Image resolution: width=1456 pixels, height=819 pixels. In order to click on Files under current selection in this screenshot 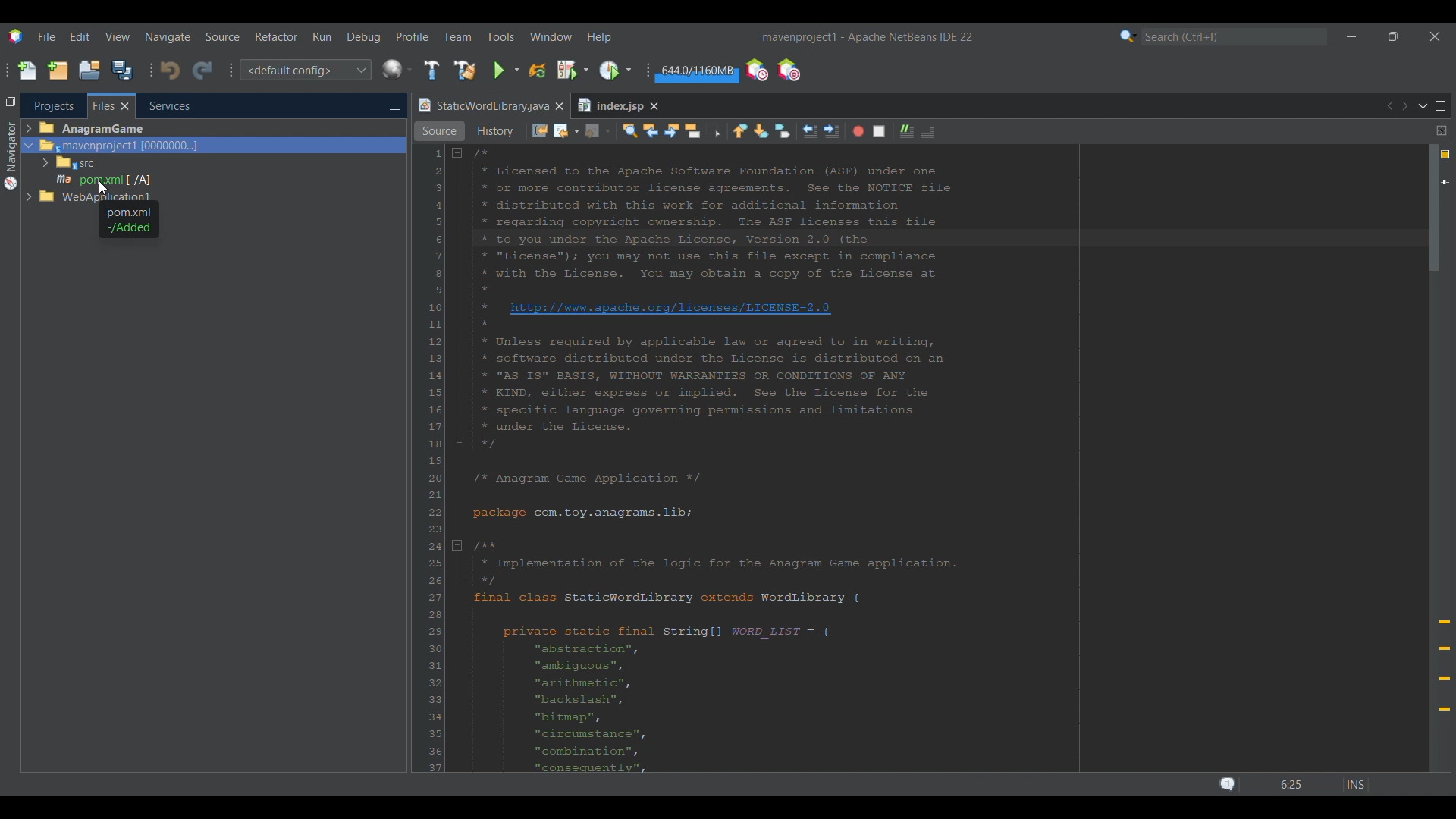, I will do `click(102, 171)`.